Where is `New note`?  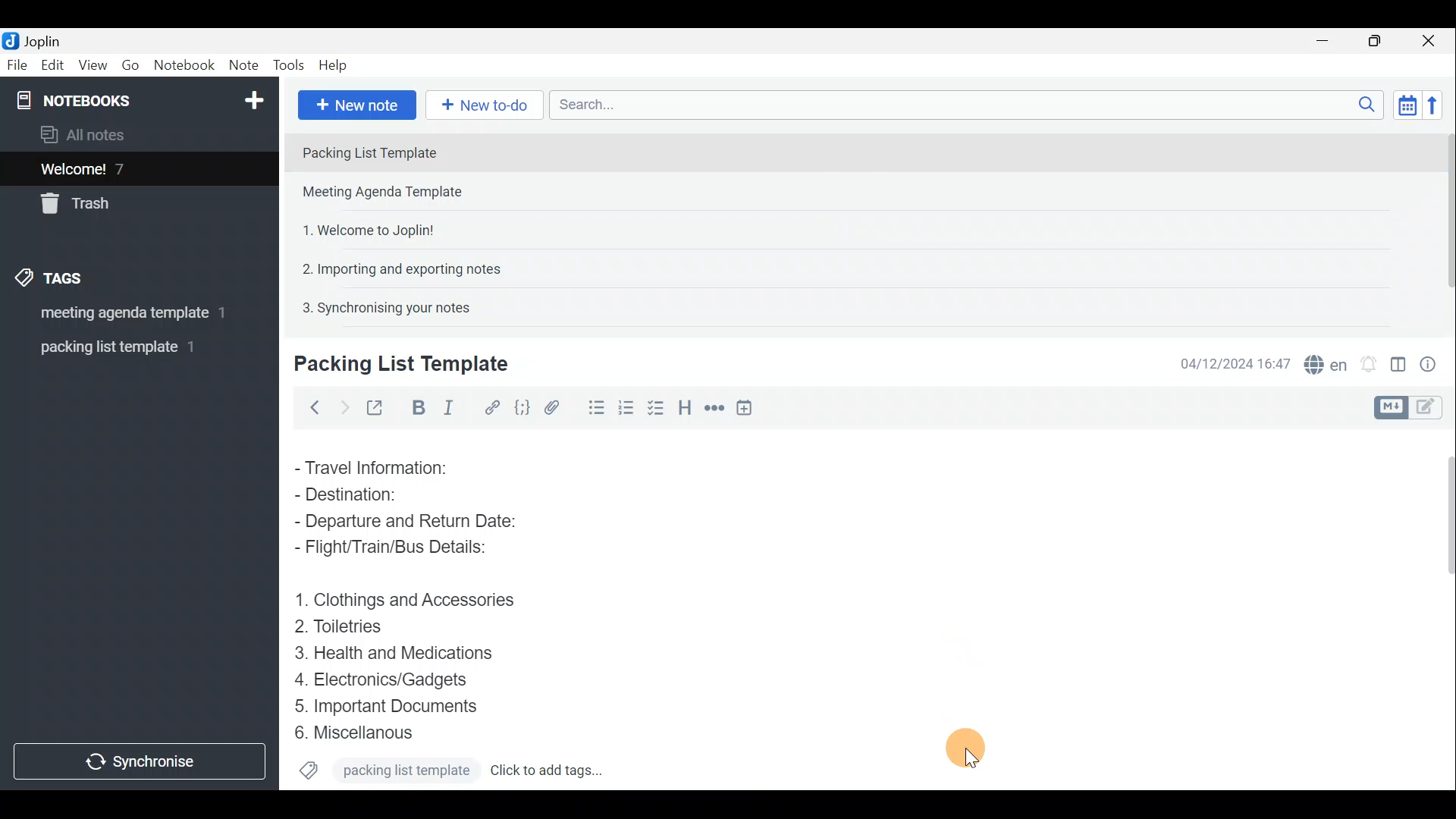 New note is located at coordinates (356, 103).